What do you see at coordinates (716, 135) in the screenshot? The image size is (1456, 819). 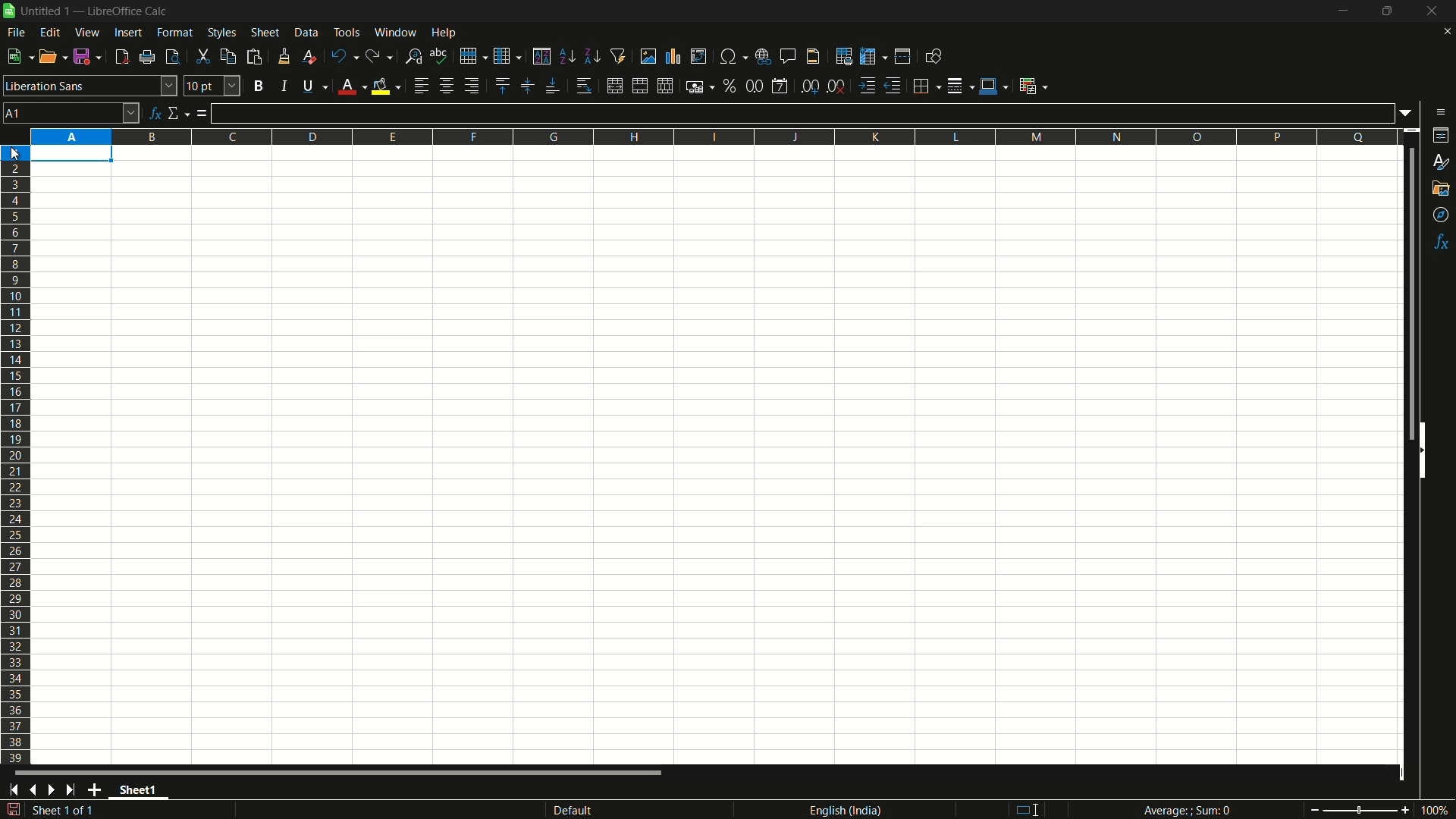 I see `columns` at bounding box center [716, 135].